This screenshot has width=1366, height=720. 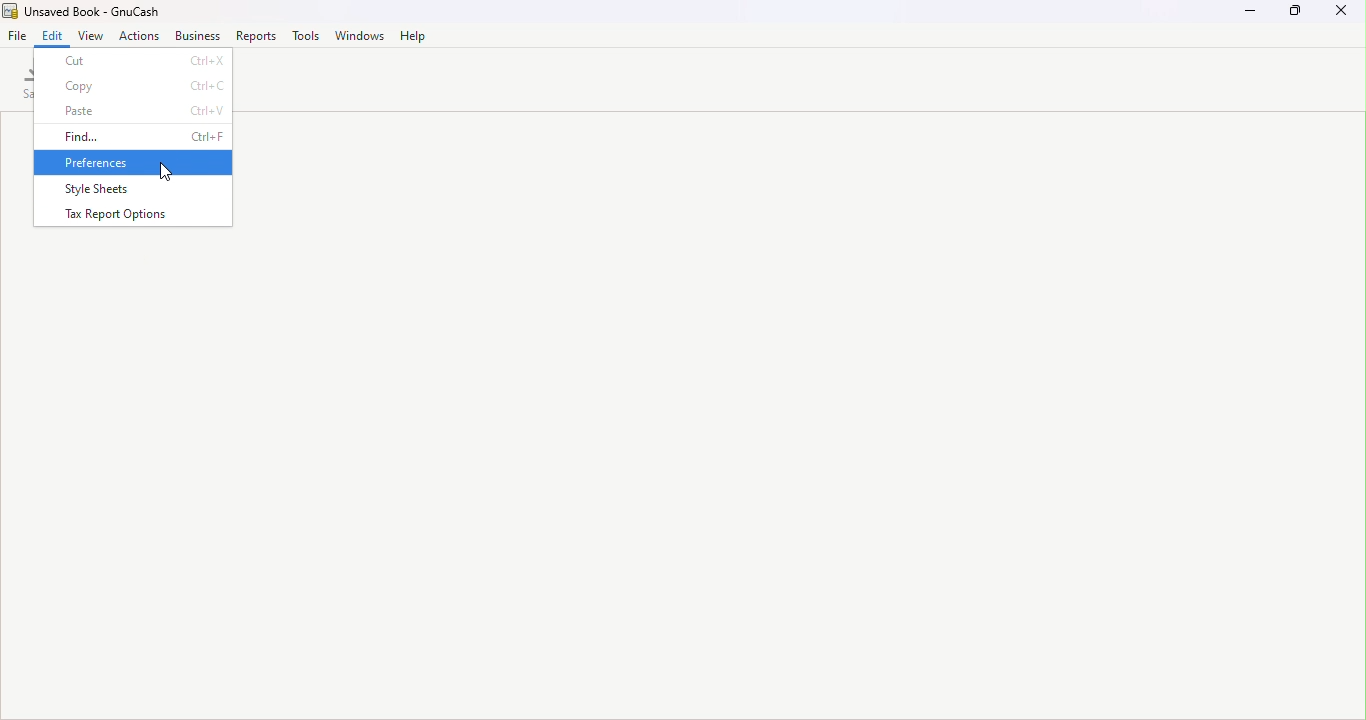 What do you see at coordinates (17, 36) in the screenshot?
I see `File` at bounding box center [17, 36].